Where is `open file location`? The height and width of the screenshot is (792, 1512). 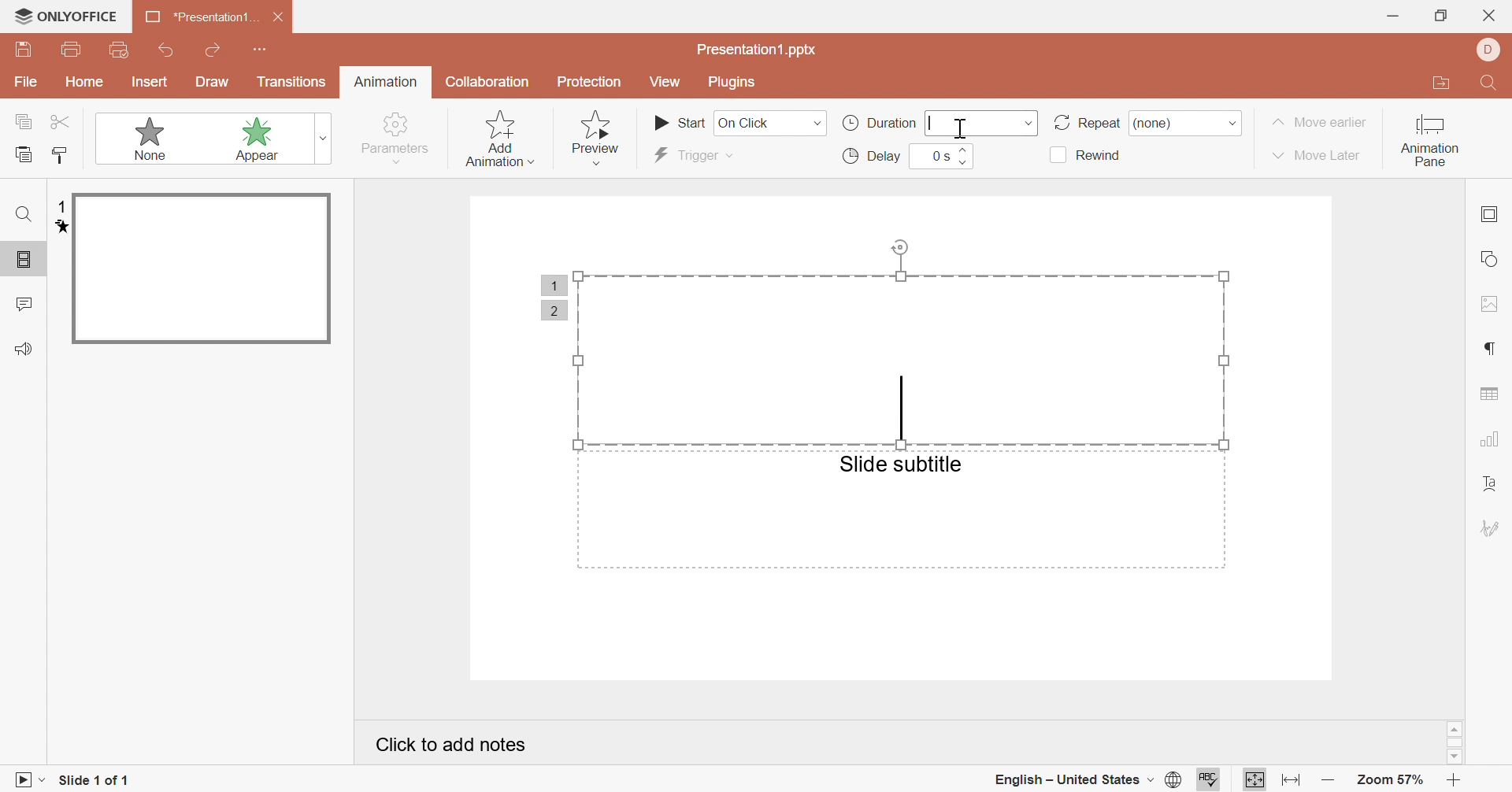
open file location is located at coordinates (1447, 83).